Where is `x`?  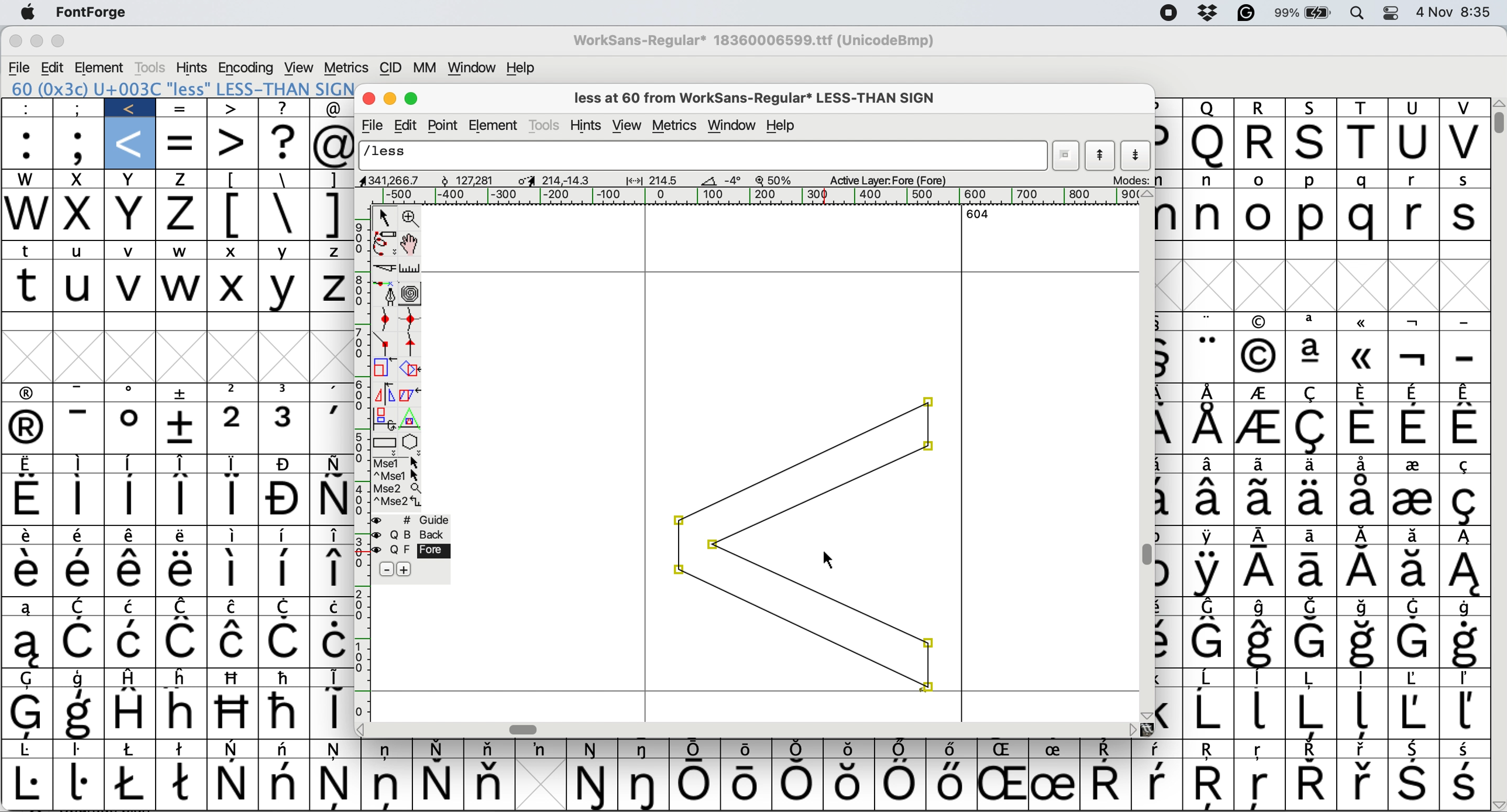
x is located at coordinates (80, 215).